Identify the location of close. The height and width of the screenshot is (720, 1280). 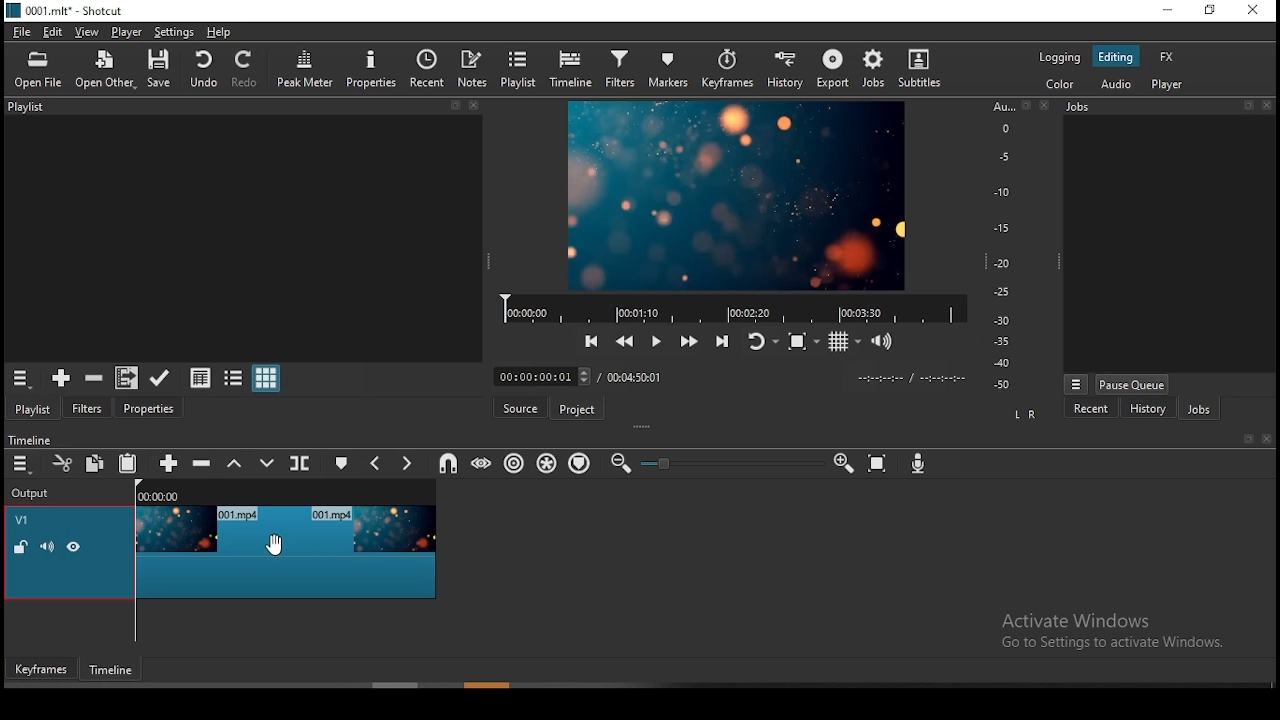
(1267, 440).